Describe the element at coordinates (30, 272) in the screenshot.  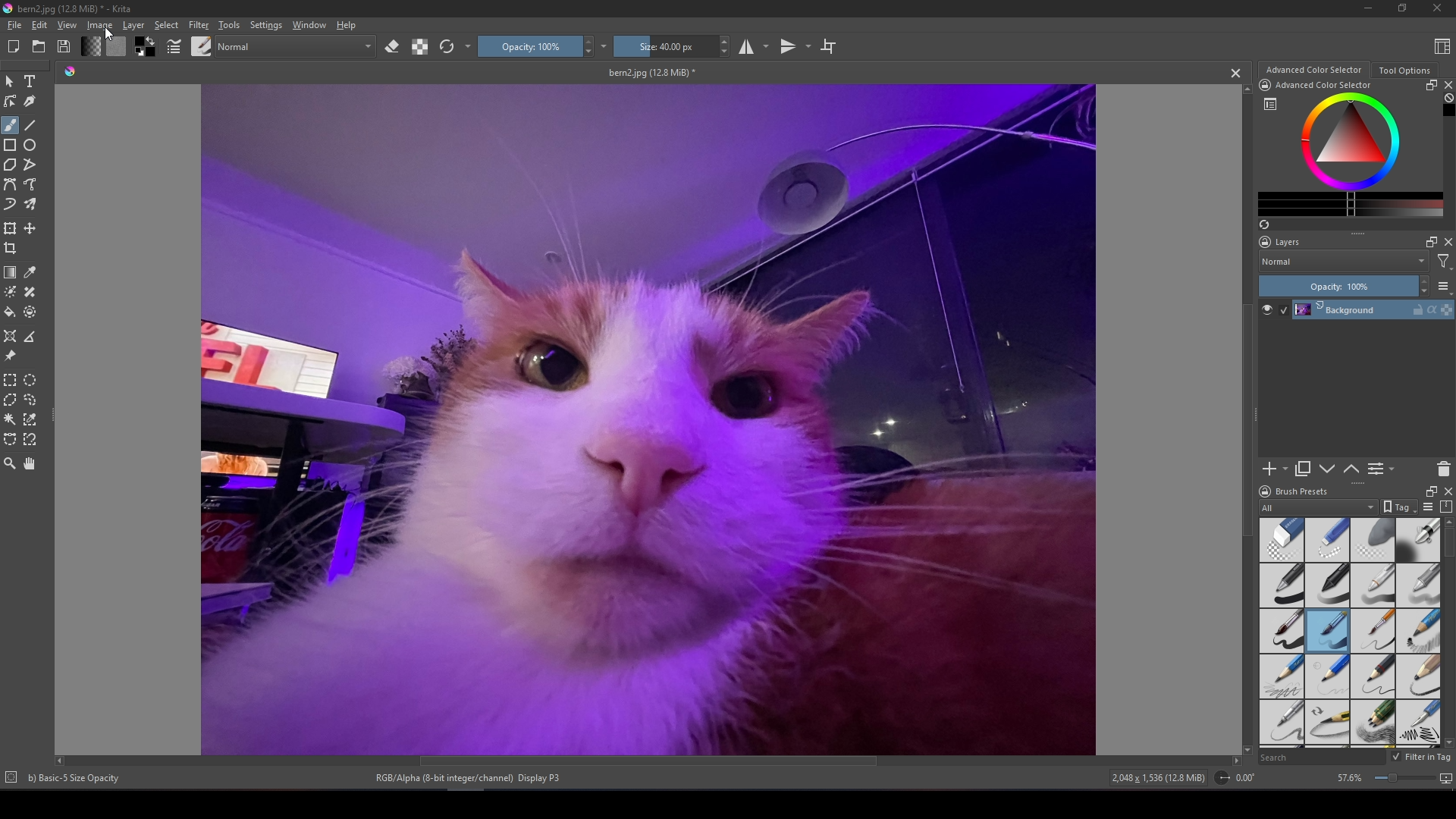
I see `Sample a color from image or current layer` at that location.